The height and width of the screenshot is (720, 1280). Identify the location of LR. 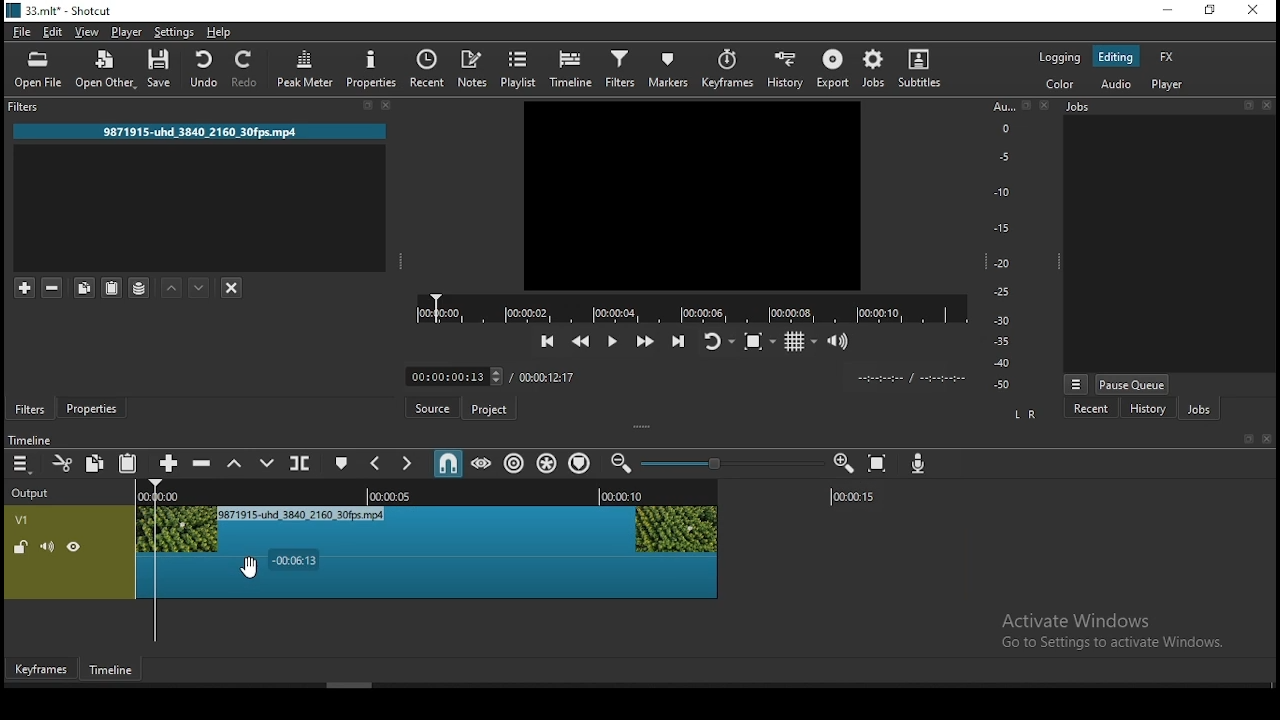
(1027, 417).